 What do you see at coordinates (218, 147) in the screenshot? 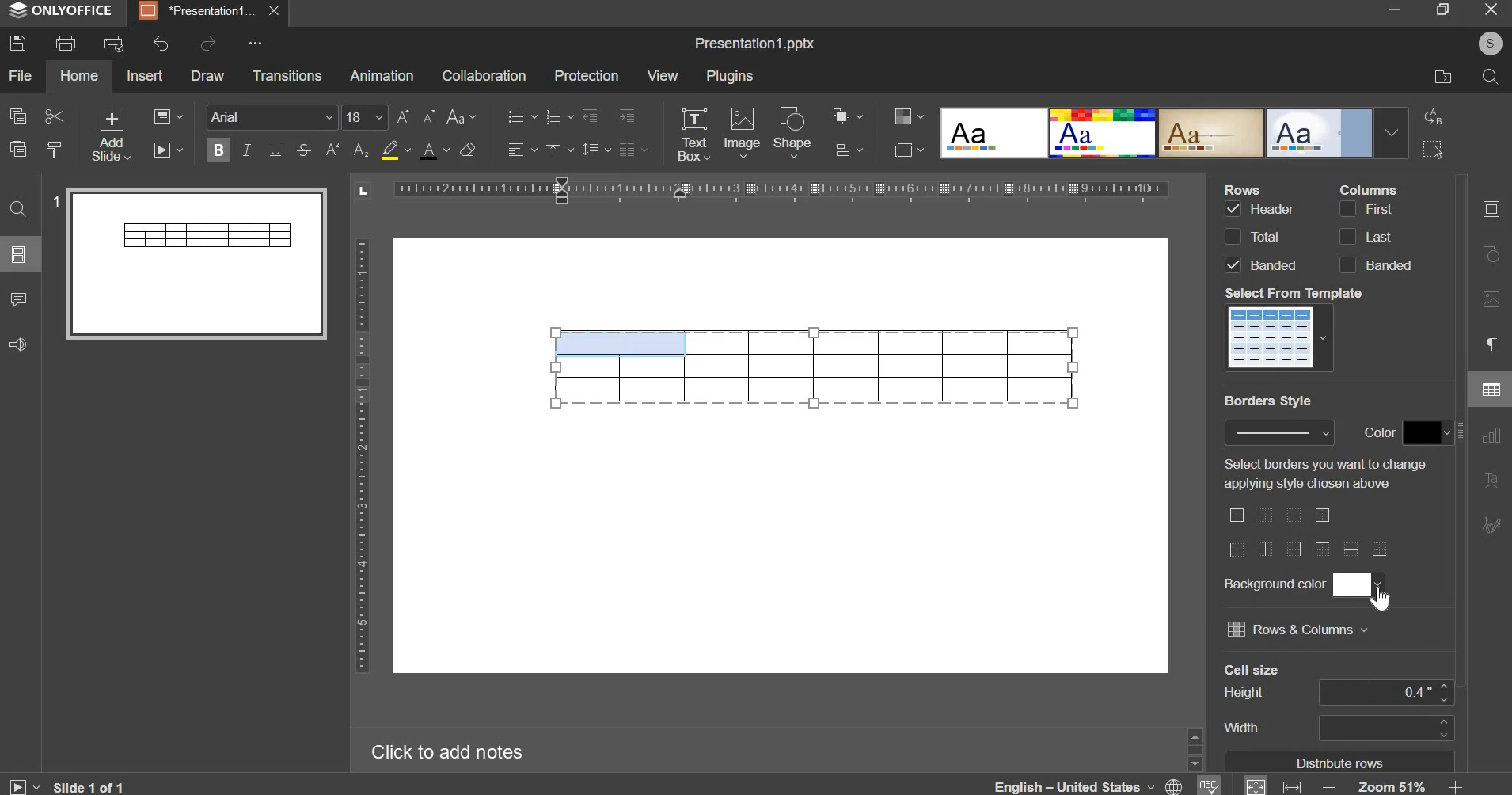
I see `bold` at bounding box center [218, 147].